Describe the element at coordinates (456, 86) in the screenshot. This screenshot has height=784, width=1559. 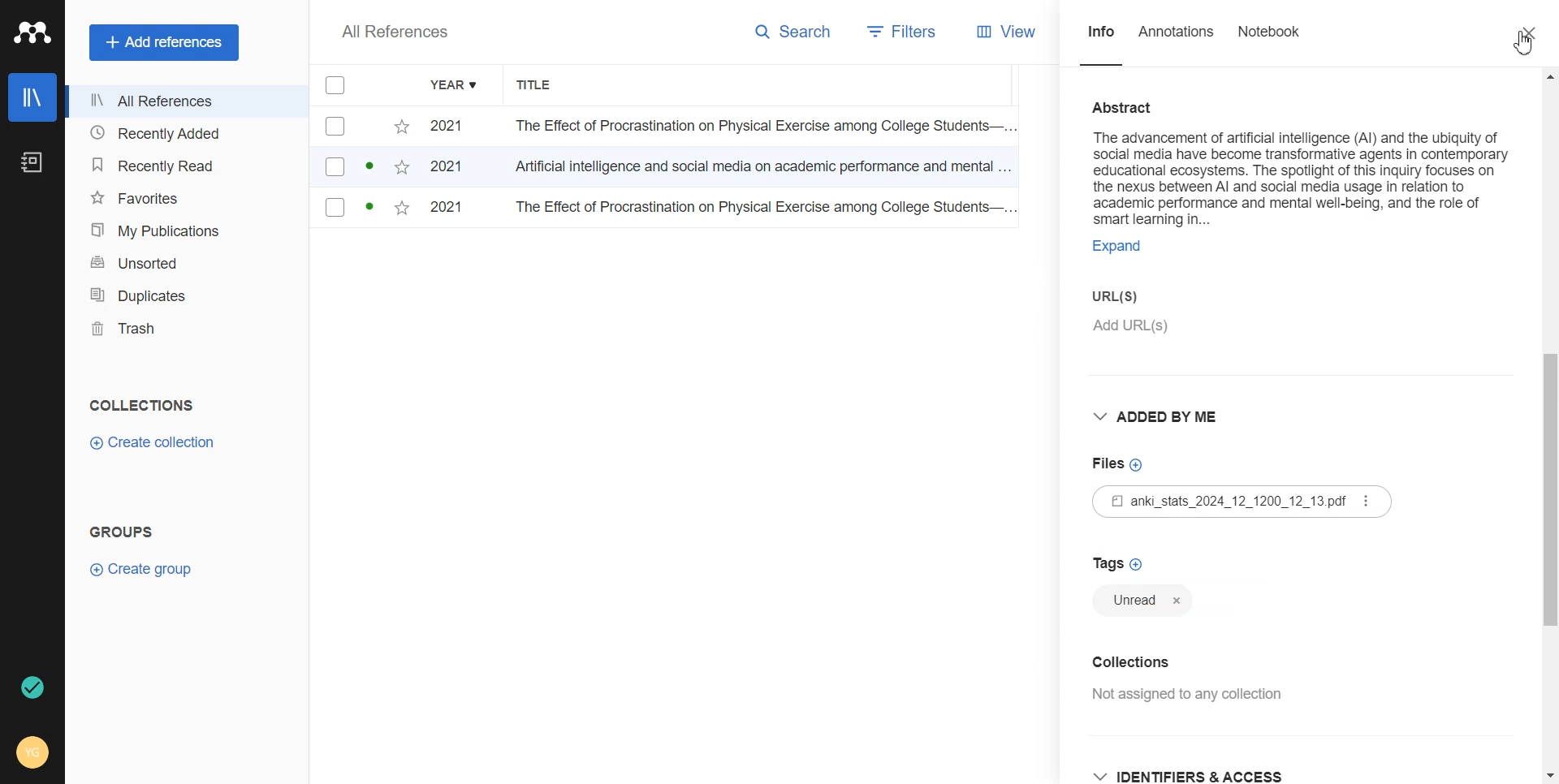
I see `Year` at that location.